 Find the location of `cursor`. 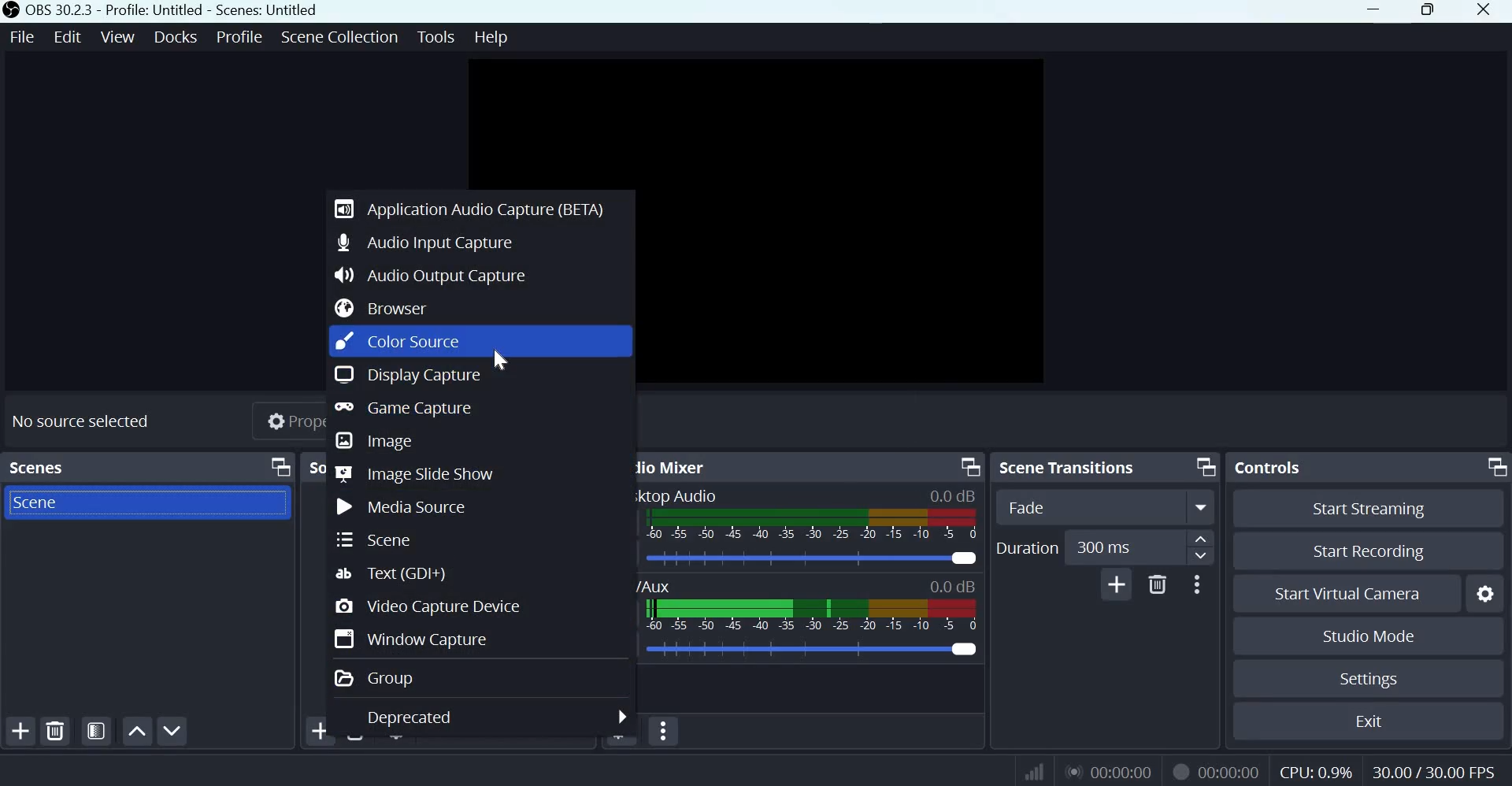

cursor is located at coordinates (502, 359).